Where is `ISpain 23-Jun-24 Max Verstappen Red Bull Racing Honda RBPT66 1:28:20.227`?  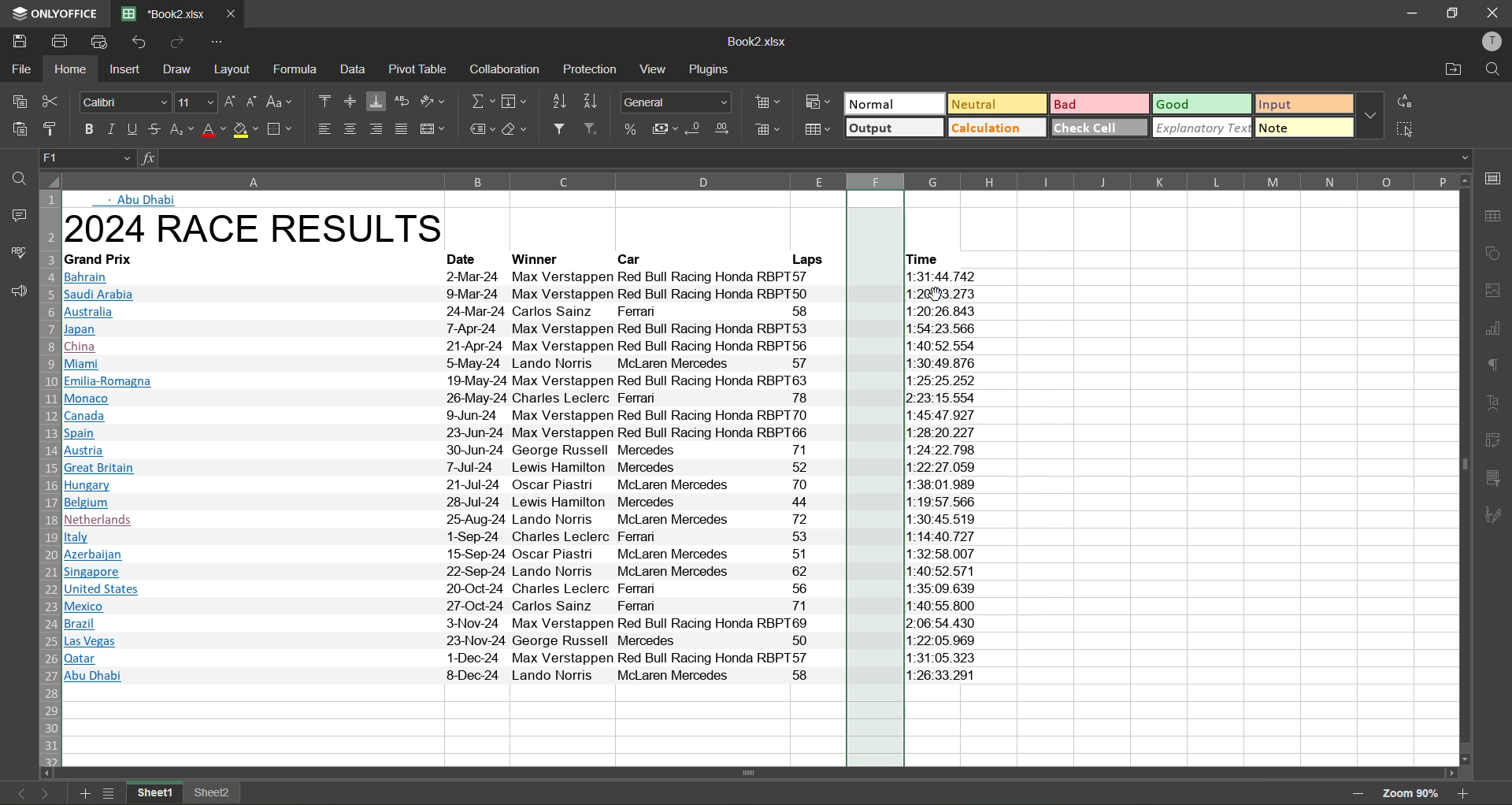 ISpain 23-Jun-24 Max Verstappen Red Bull Racing Honda RBPT66 1:28:20.227 is located at coordinates (448, 433).